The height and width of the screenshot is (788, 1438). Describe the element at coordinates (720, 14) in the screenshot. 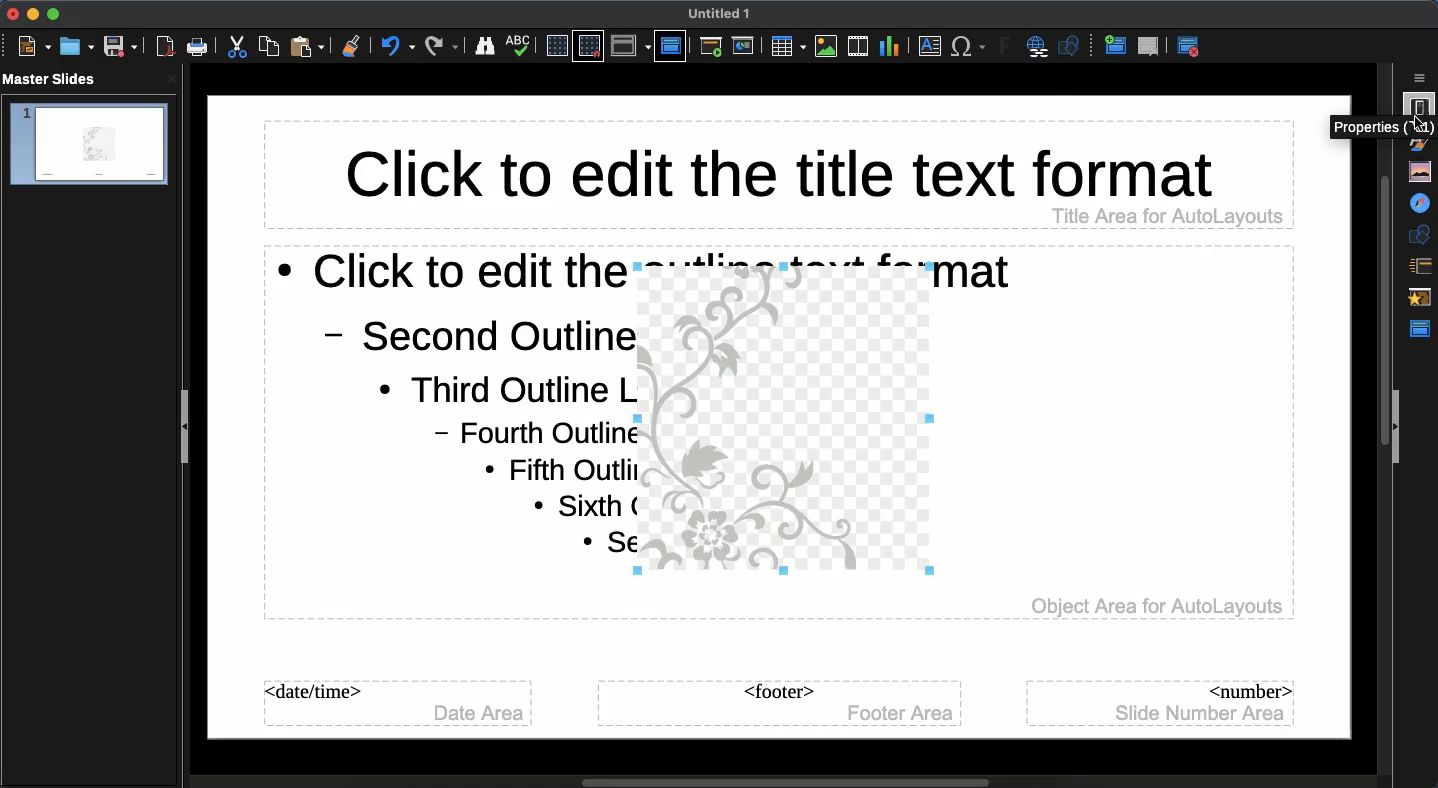

I see `Untitled` at that location.